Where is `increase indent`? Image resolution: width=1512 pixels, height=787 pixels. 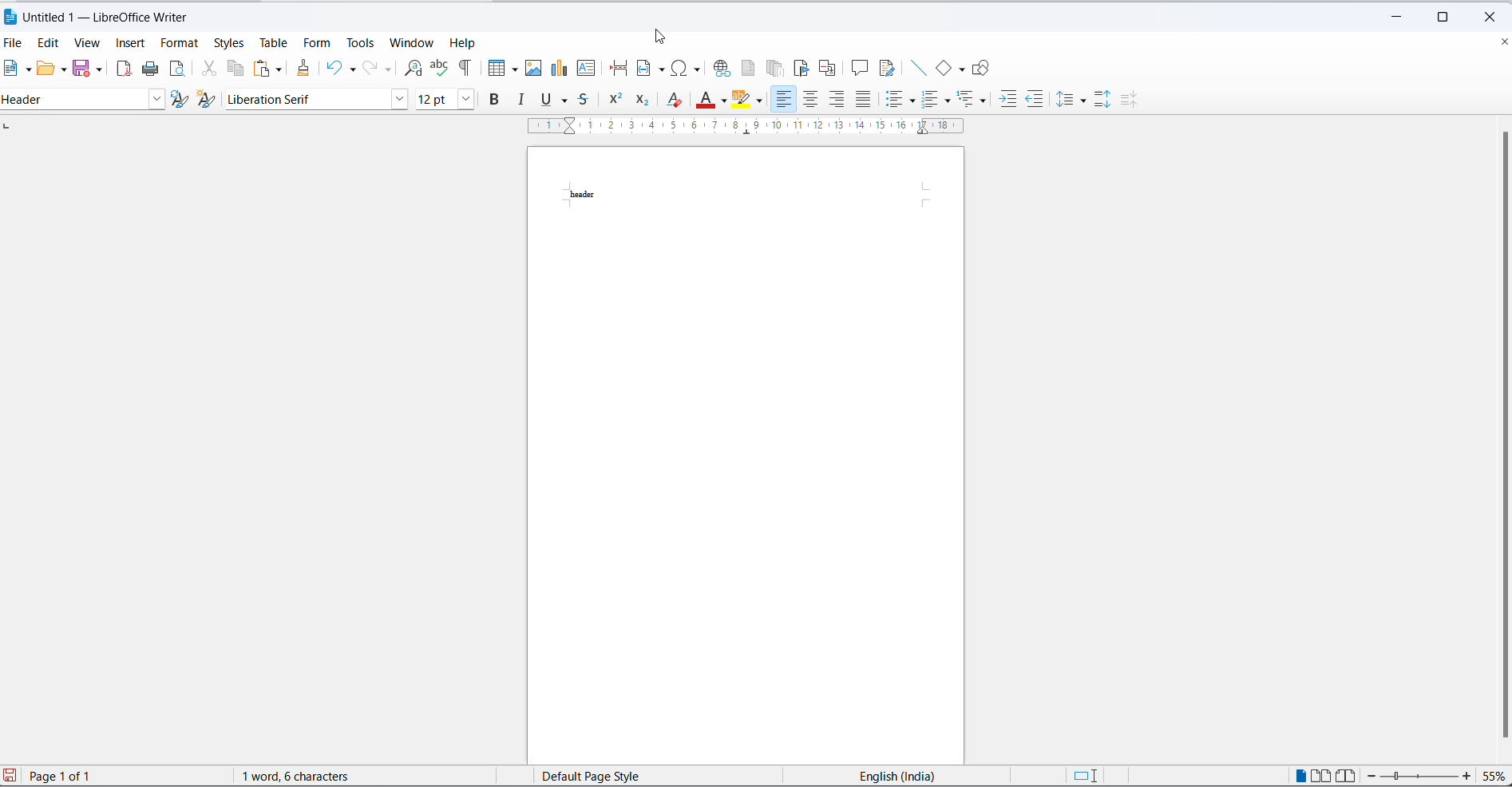
increase indent is located at coordinates (1008, 100).